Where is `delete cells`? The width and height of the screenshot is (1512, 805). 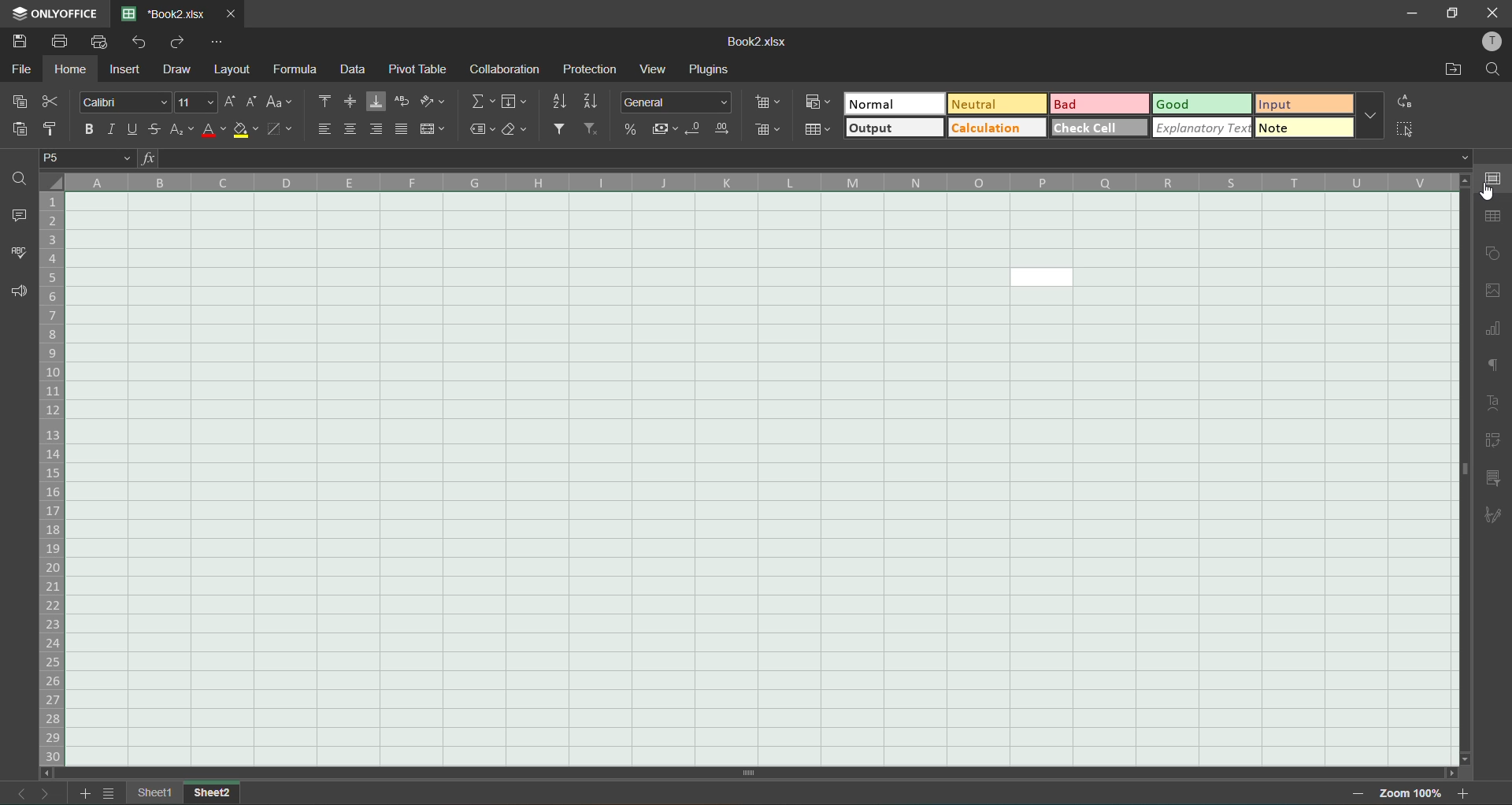
delete cells is located at coordinates (764, 132).